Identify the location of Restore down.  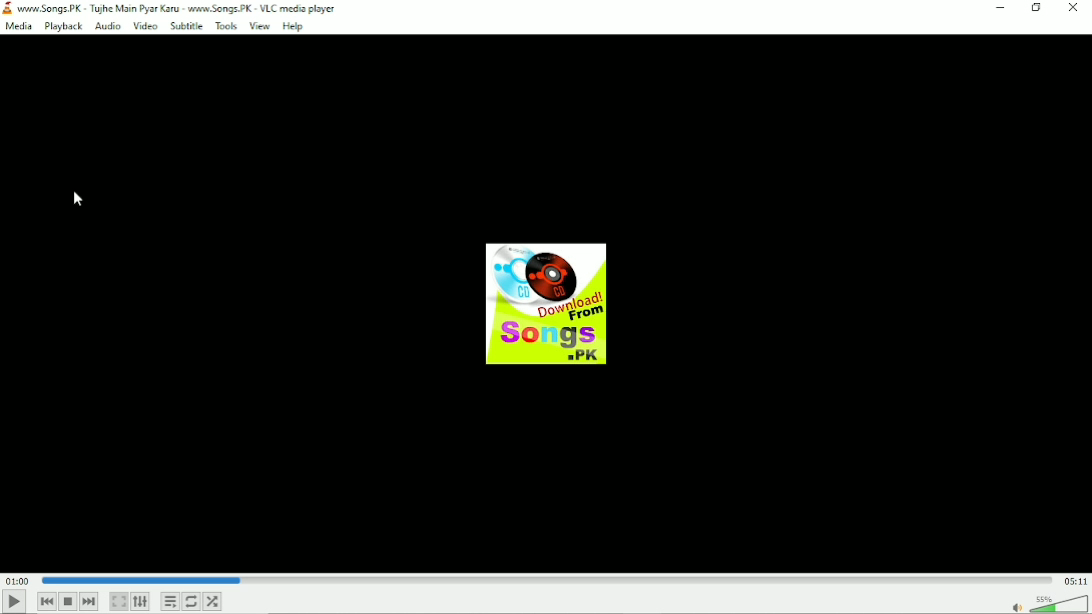
(1037, 8).